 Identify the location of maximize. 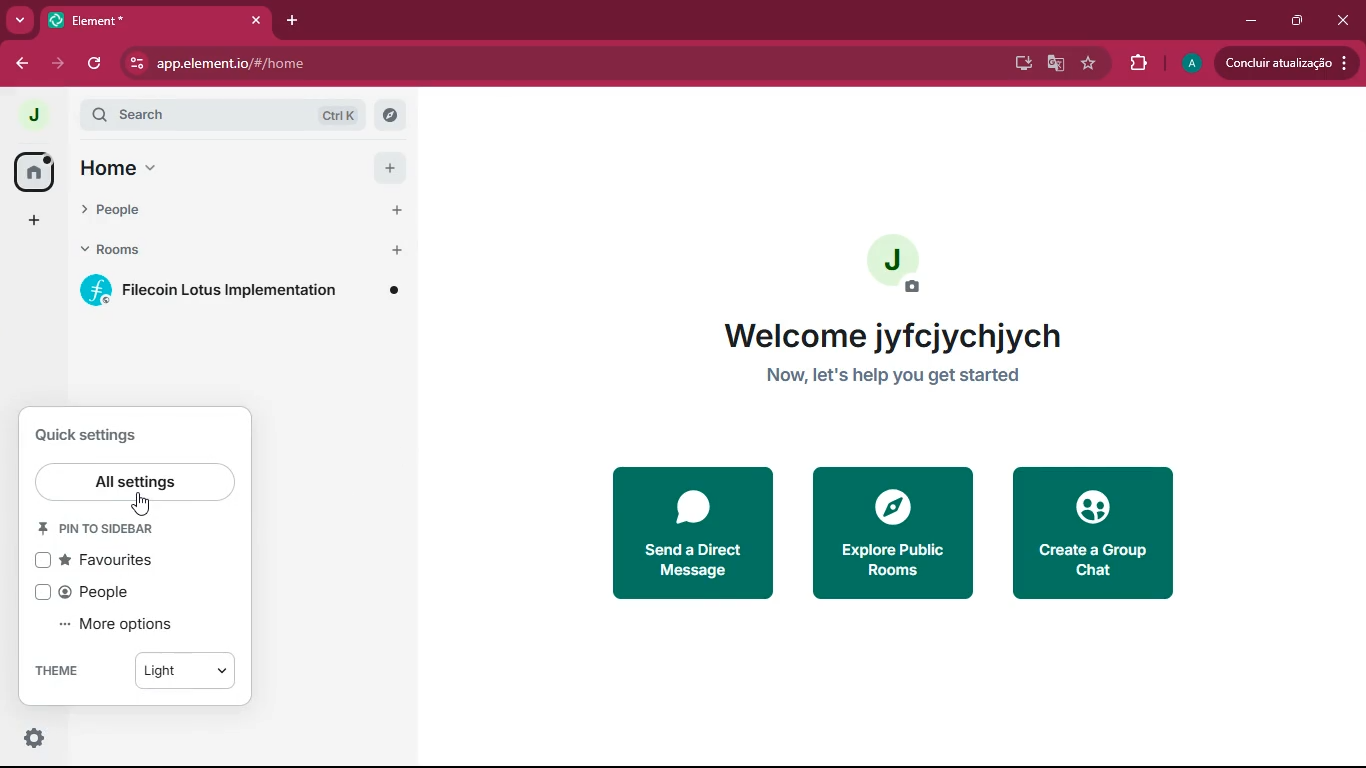
(1299, 21).